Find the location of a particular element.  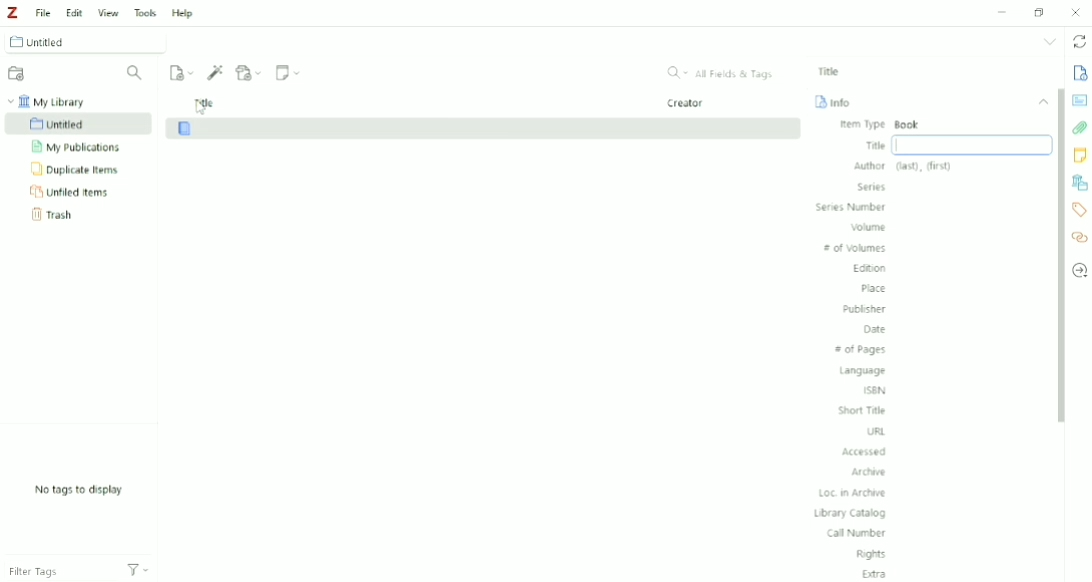

Tools is located at coordinates (144, 11).